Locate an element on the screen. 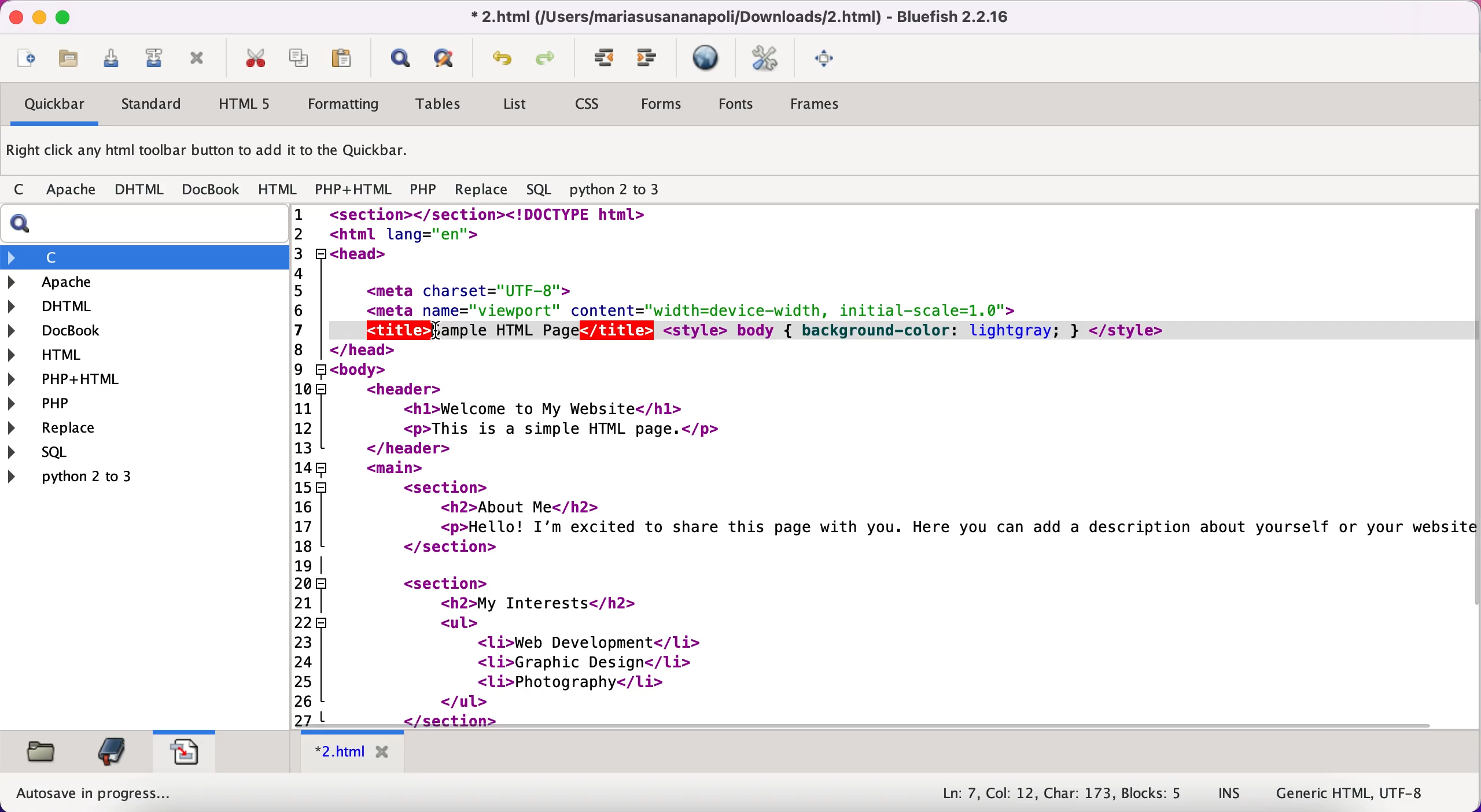 Image resolution: width=1481 pixels, height=812 pixels. save current file is located at coordinates (116, 62).